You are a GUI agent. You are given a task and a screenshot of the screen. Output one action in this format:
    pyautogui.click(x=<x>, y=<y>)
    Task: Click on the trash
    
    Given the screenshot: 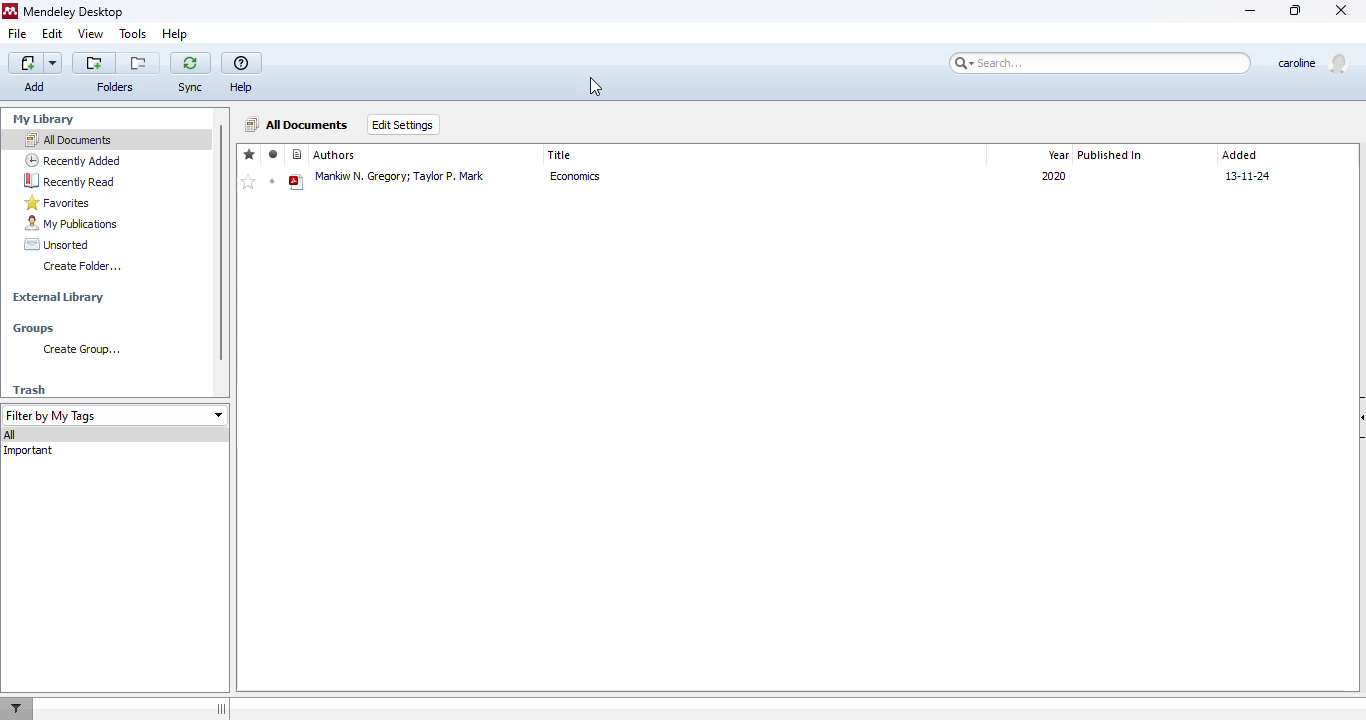 What is the action you would take?
    pyautogui.click(x=29, y=390)
    